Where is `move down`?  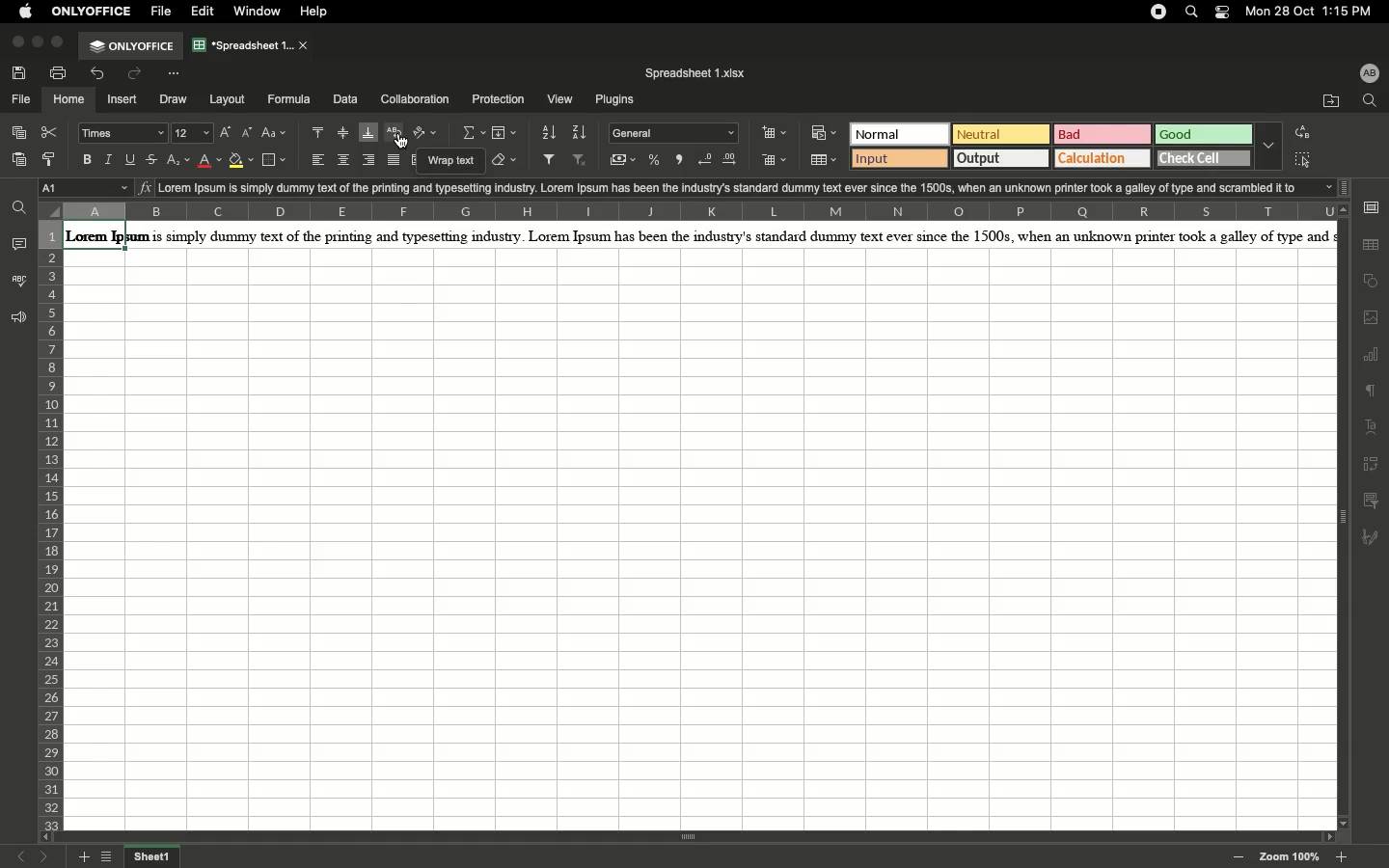 move down is located at coordinates (1342, 824).